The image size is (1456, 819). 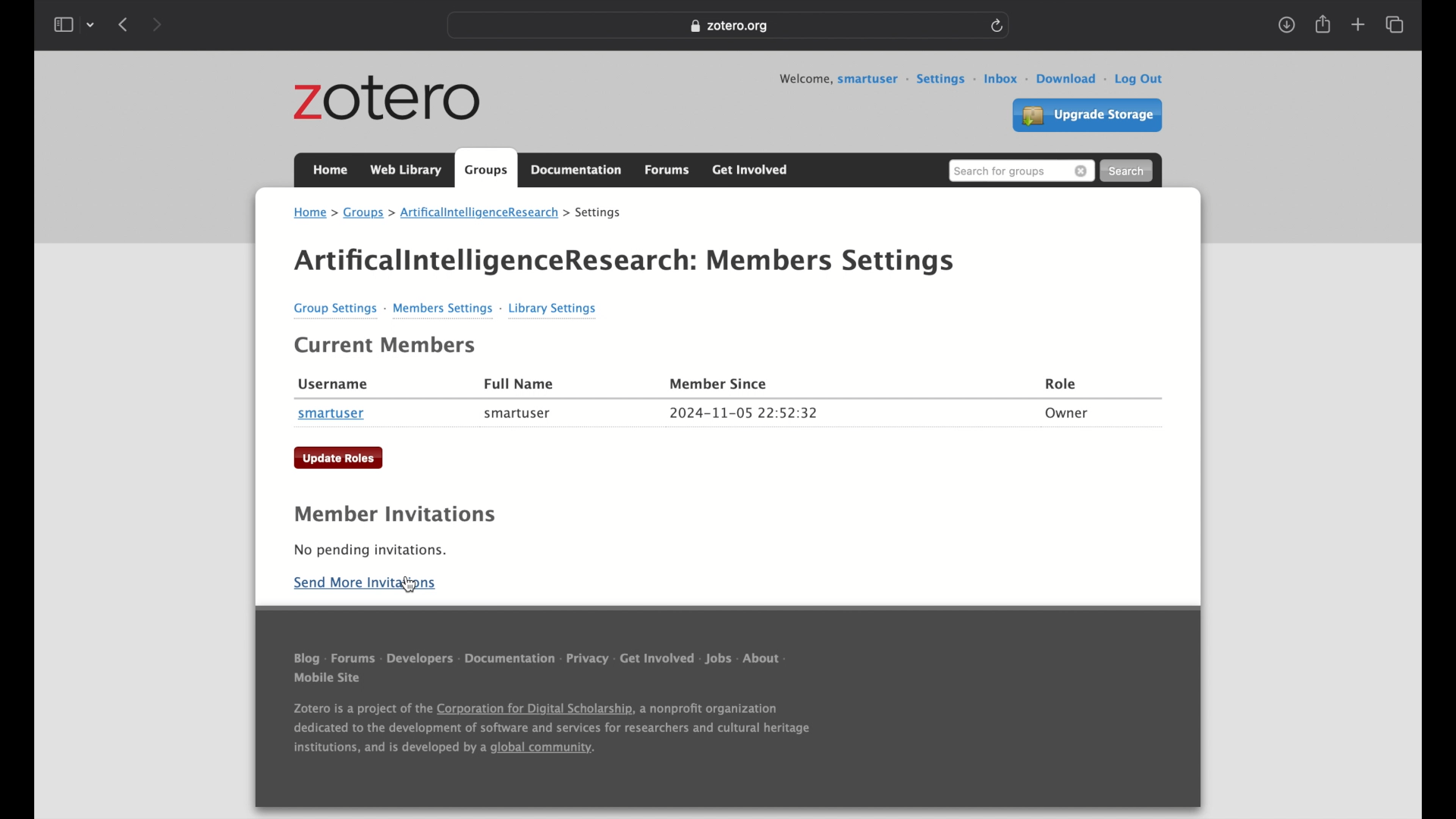 What do you see at coordinates (1006, 80) in the screenshot?
I see `inbox` at bounding box center [1006, 80].